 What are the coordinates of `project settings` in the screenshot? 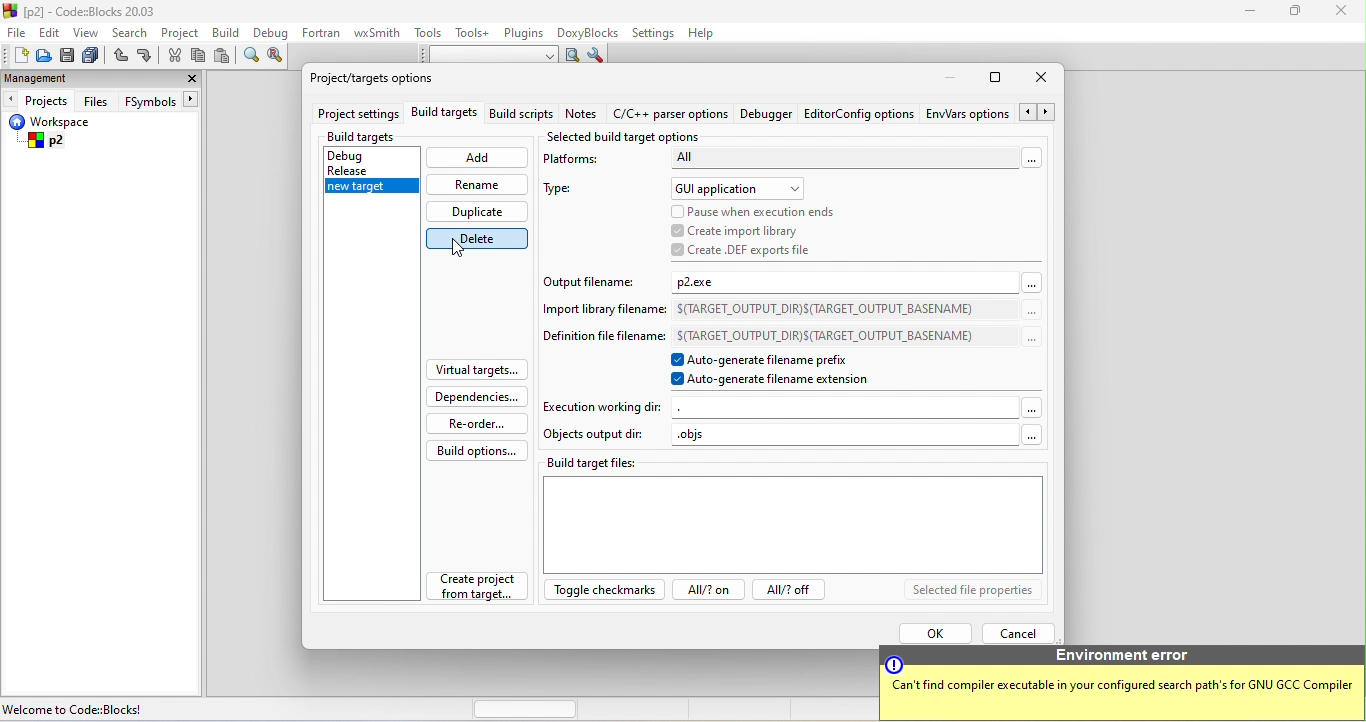 It's located at (356, 115).